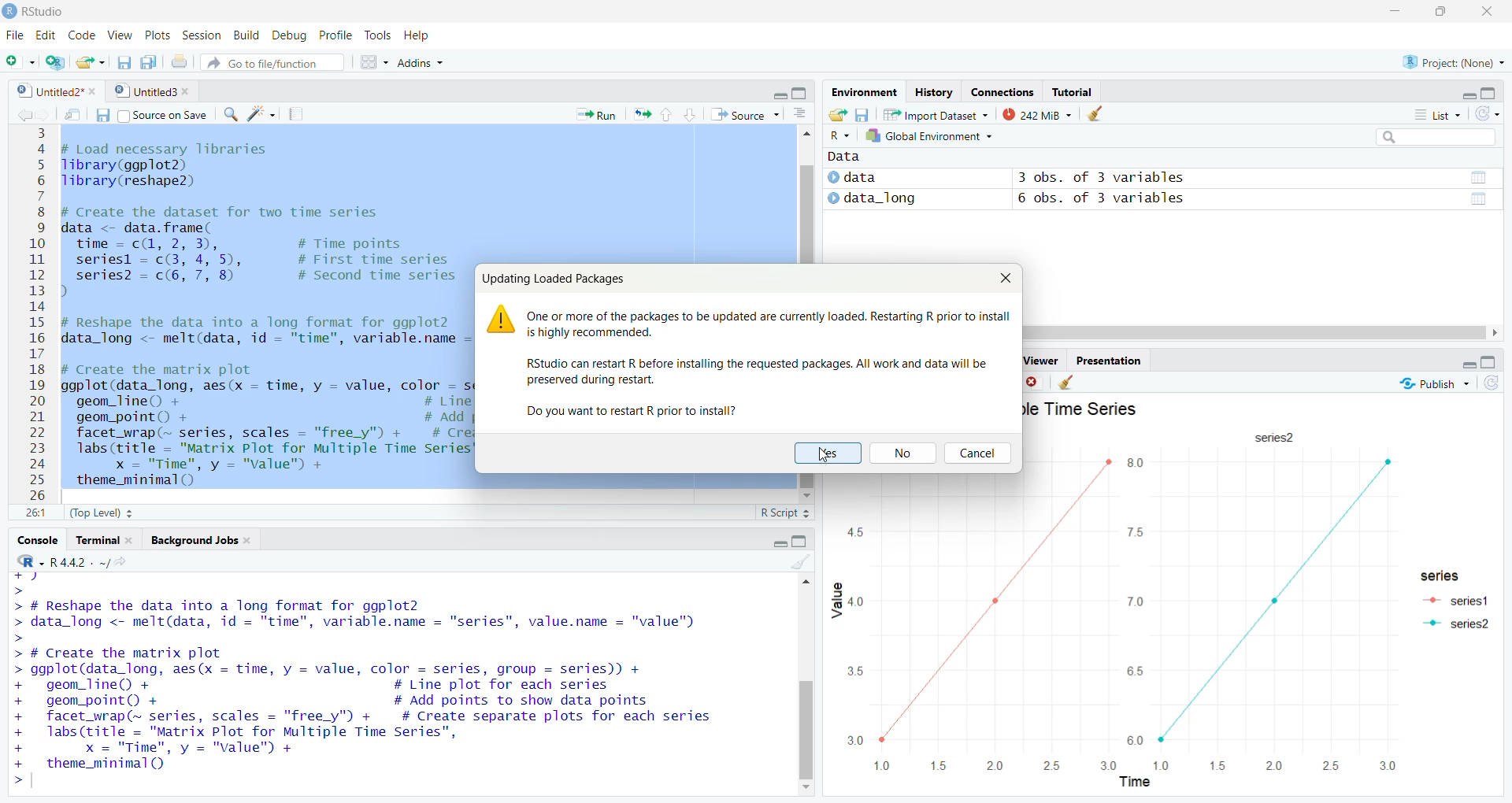 This screenshot has width=1512, height=803. I want to click on Minimize, so click(1395, 11).